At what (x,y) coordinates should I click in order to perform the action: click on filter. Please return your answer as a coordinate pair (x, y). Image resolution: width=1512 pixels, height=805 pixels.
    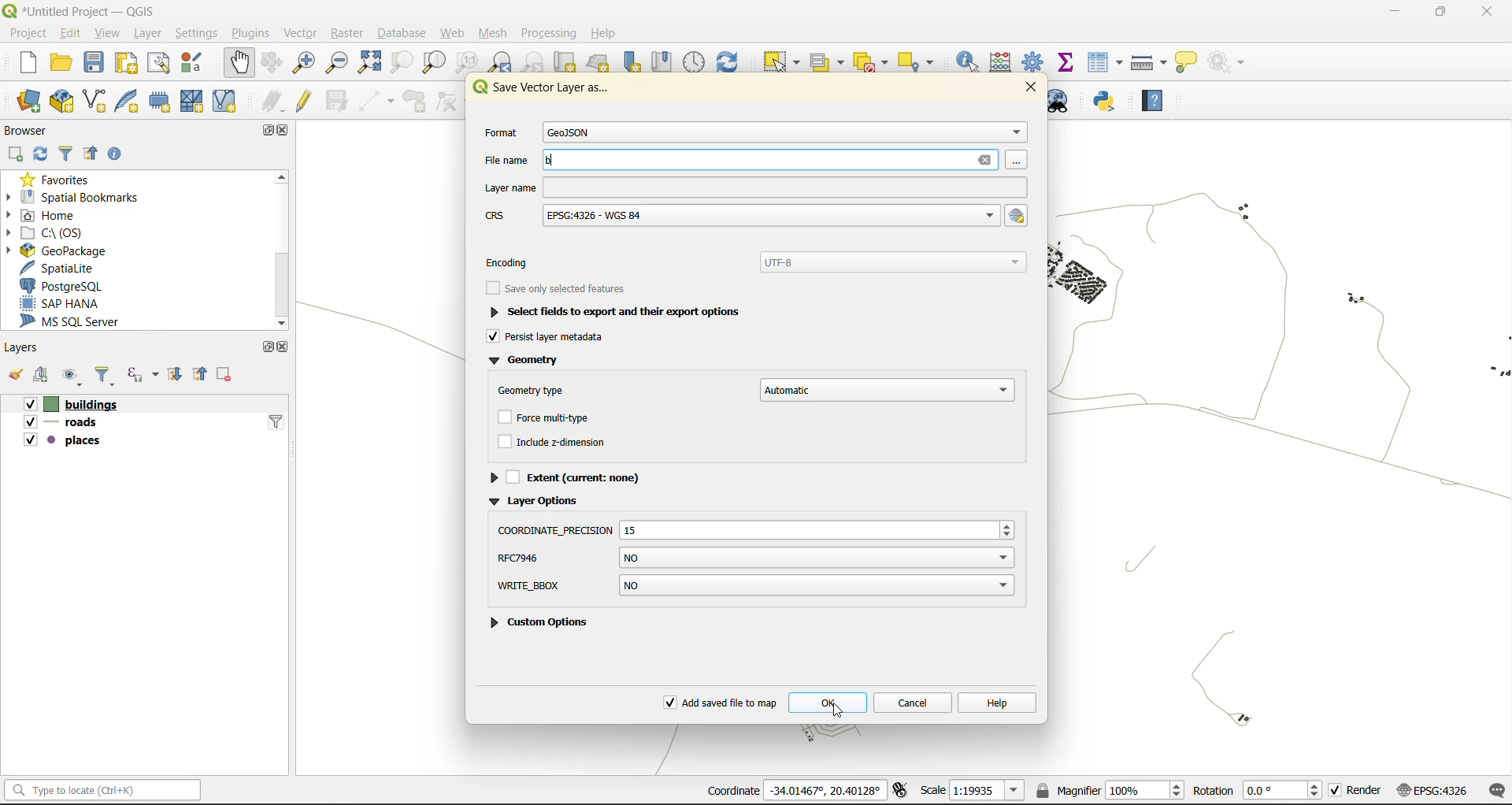
    Looking at the image, I should click on (276, 421).